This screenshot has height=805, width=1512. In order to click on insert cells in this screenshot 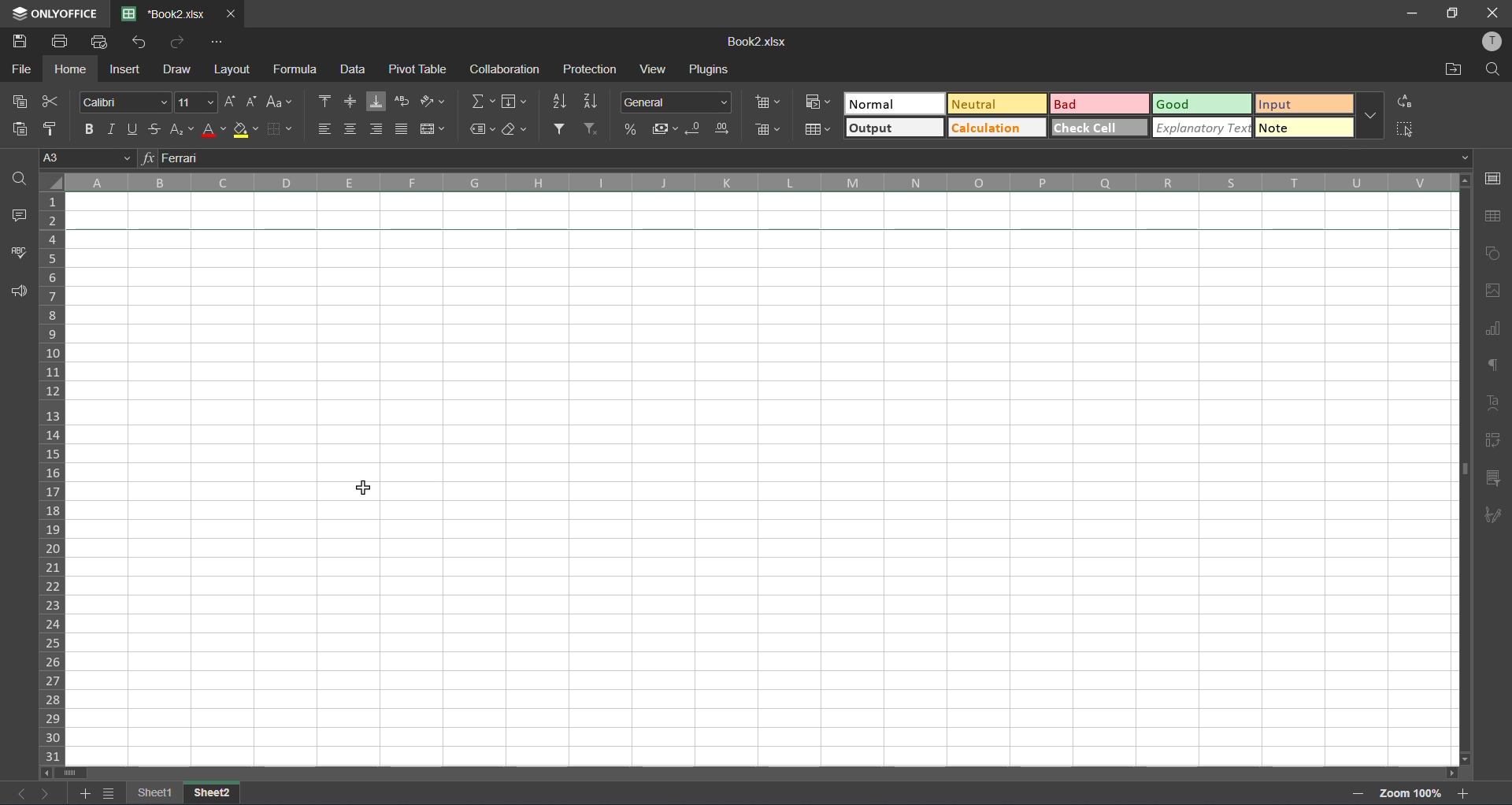, I will do `click(768, 98)`.